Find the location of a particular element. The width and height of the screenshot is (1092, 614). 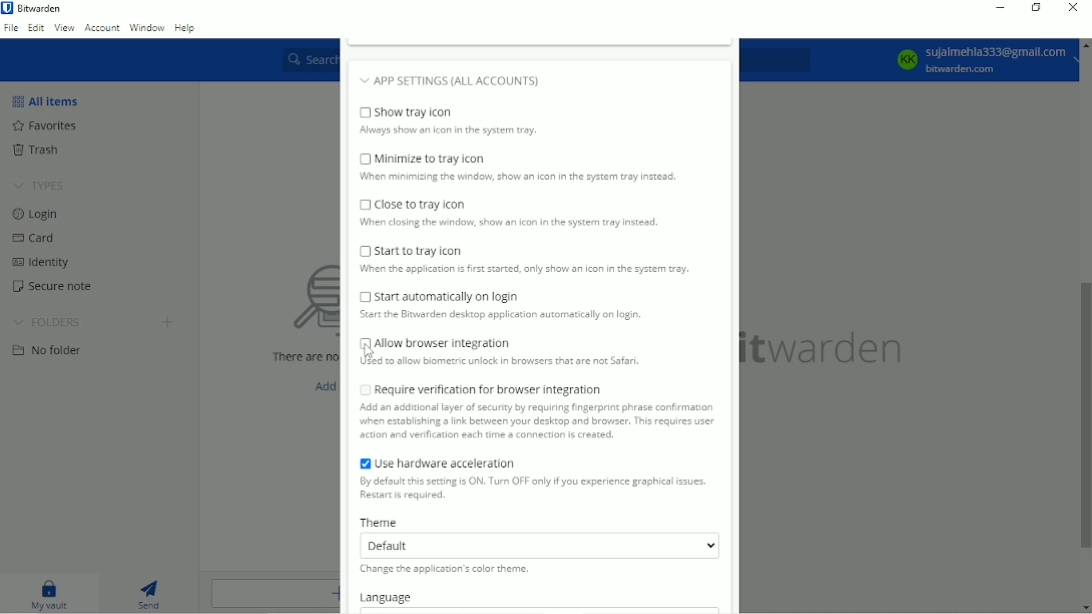

Types is located at coordinates (41, 184).